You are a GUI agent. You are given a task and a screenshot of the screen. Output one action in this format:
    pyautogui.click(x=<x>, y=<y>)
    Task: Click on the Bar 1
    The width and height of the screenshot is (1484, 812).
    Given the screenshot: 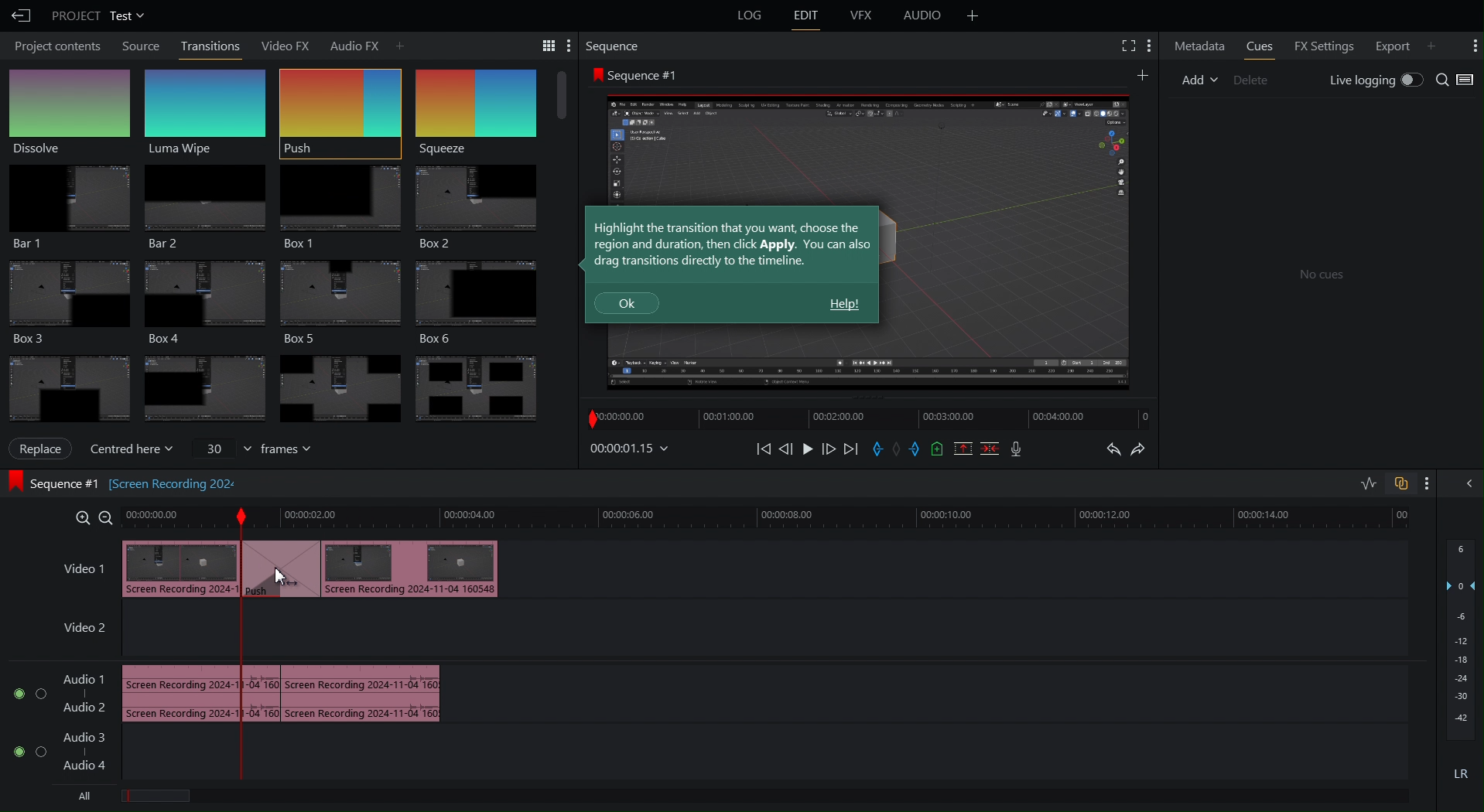 What is the action you would take?
    pyautogui.click(x=64, y=209)
    